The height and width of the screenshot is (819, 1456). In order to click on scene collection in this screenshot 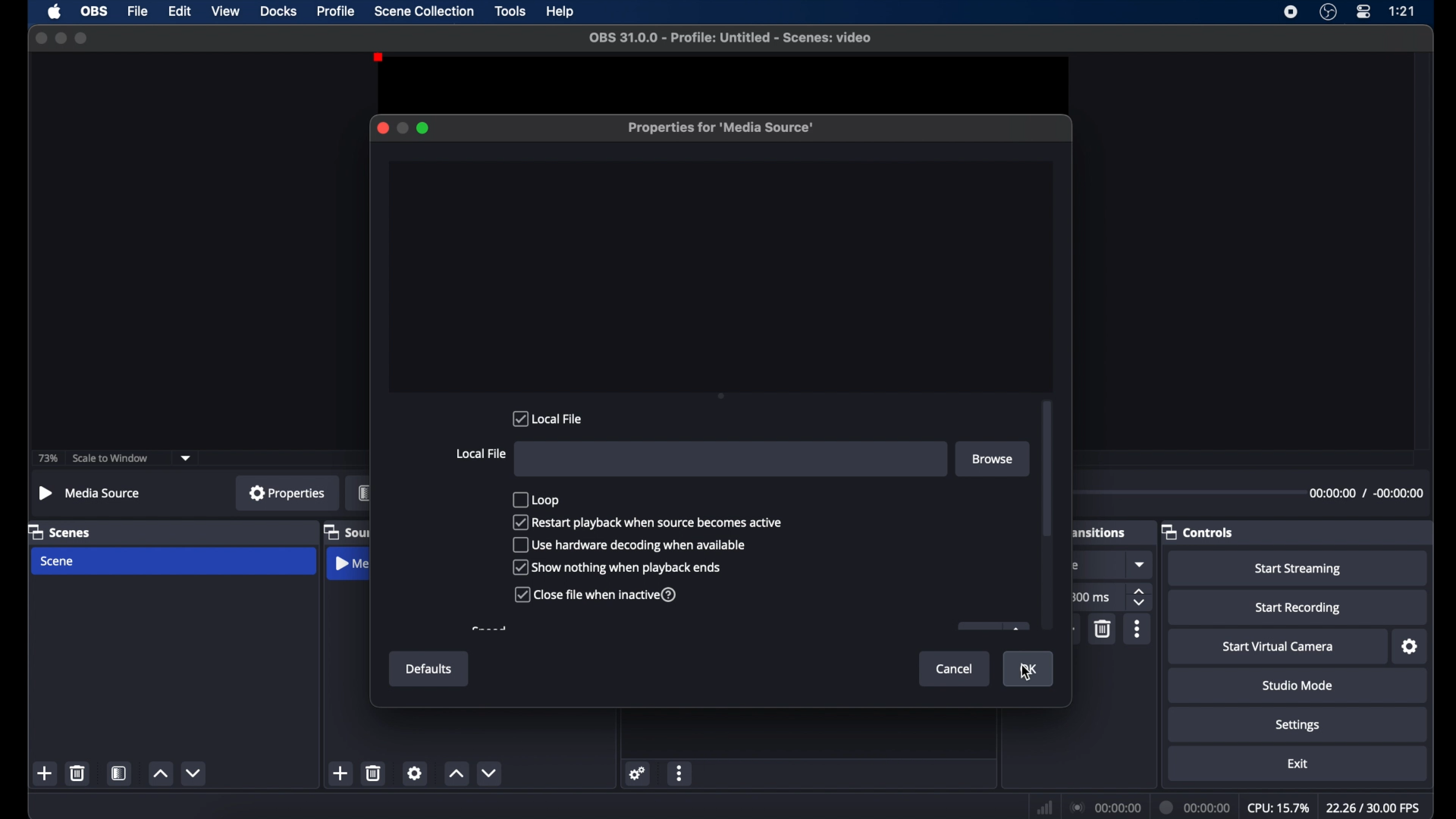, I will do `click(422, 11)`.